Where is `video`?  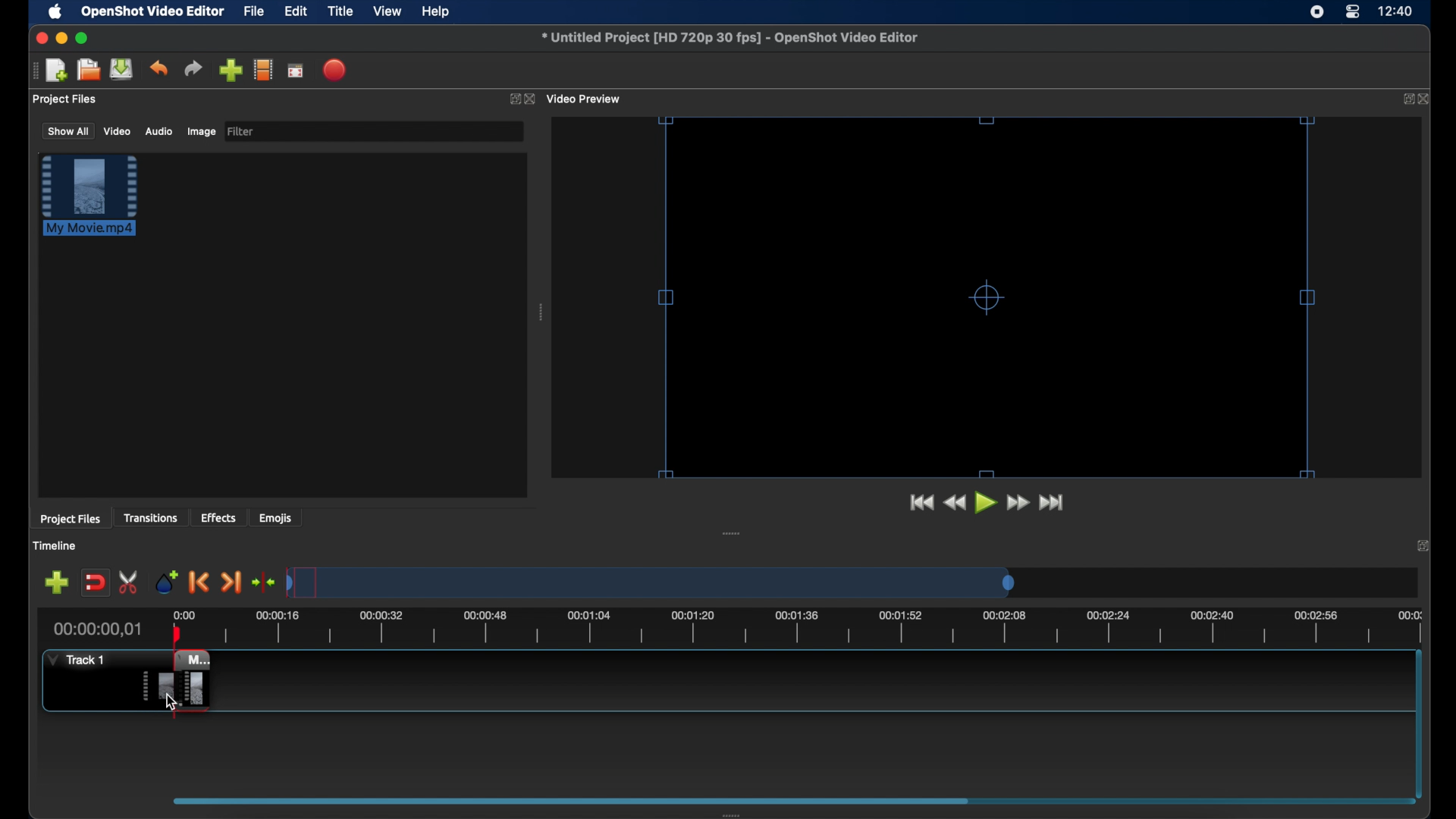
video is located at coordinates (117, 132).